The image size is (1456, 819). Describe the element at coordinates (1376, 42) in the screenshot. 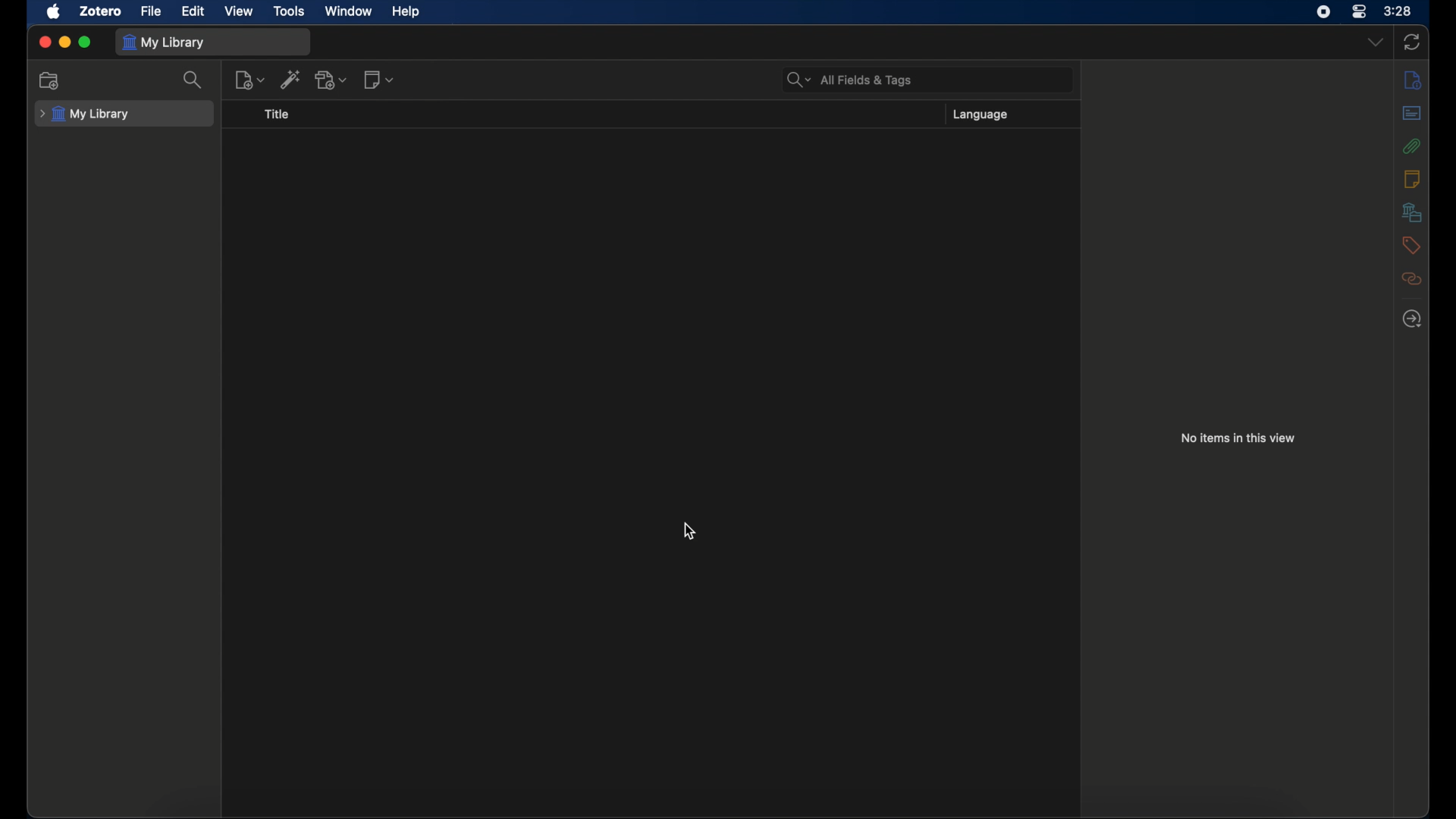

I see `dropdown` at that location.